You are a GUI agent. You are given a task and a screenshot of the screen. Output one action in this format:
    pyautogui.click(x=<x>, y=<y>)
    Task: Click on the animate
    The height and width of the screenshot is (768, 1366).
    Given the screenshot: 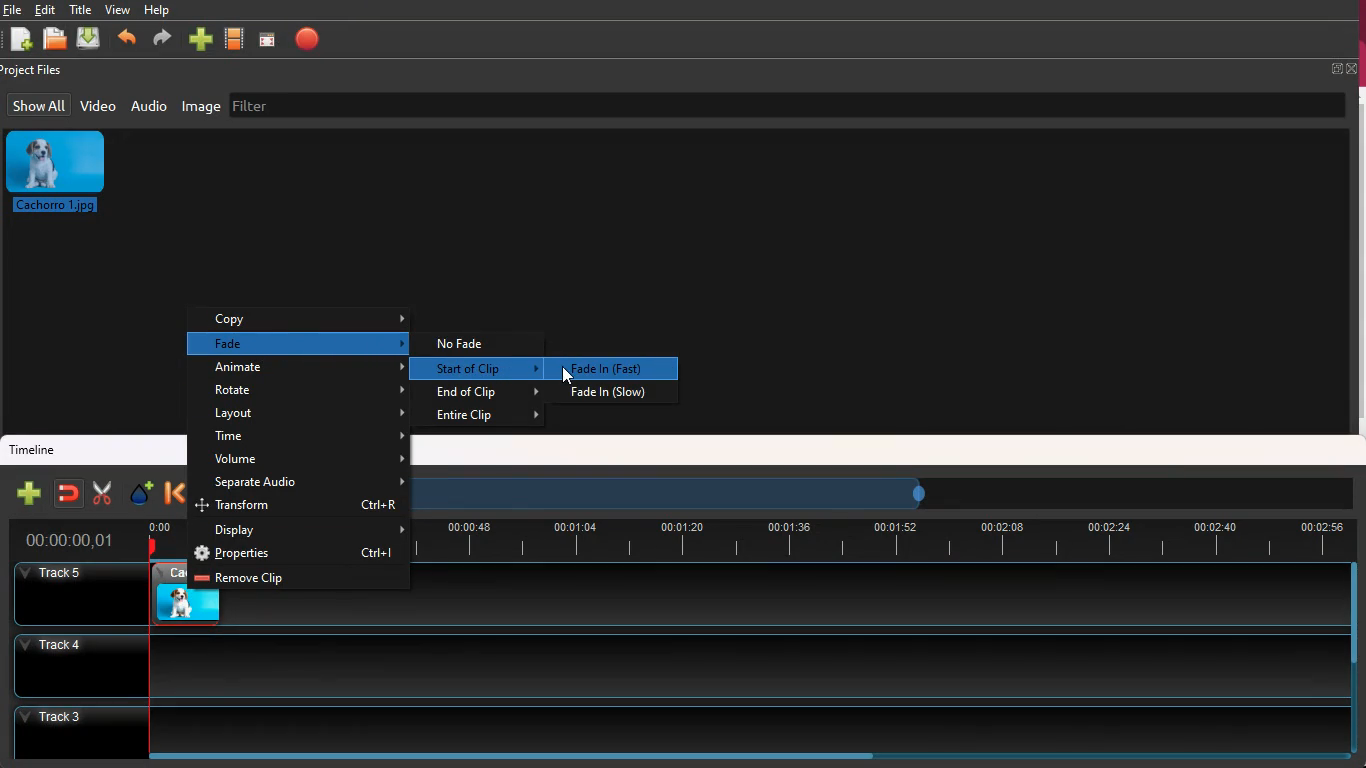 What is the action you would take?
    pyautogui.click(x=312, y=369)
    